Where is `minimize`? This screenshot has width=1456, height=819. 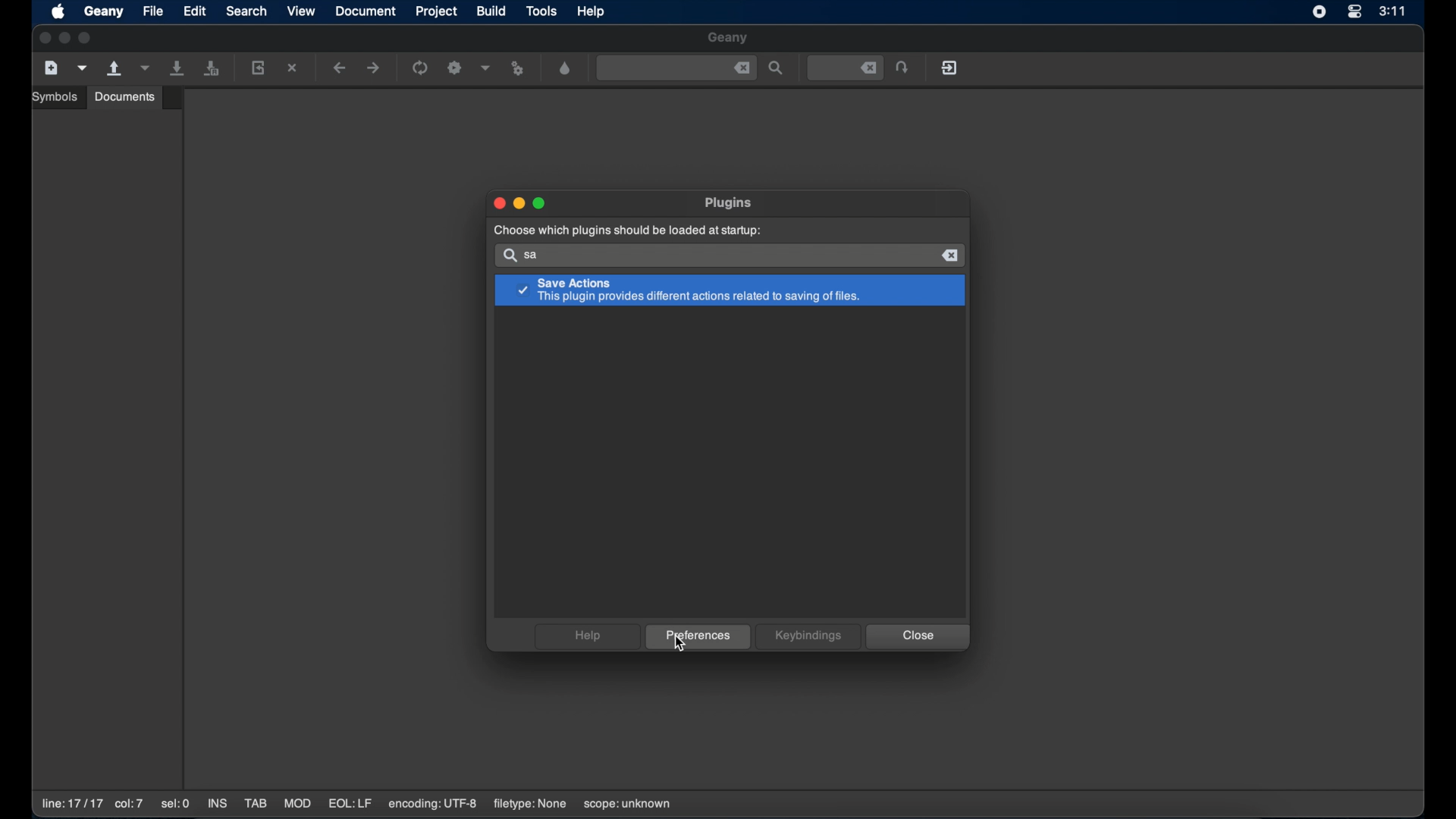 minimize is located at coordinates (65, 39).